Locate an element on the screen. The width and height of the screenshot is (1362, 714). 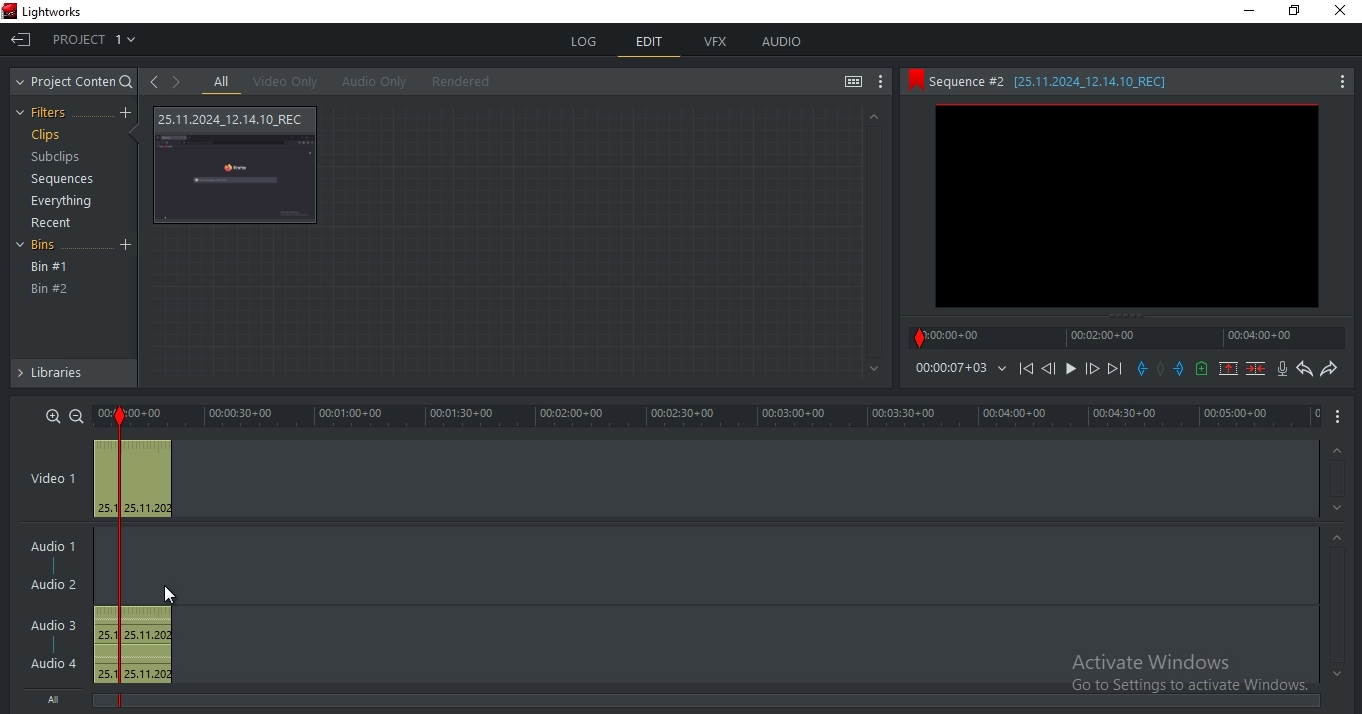
Lightworks logo is located at coordinates (9, 11).